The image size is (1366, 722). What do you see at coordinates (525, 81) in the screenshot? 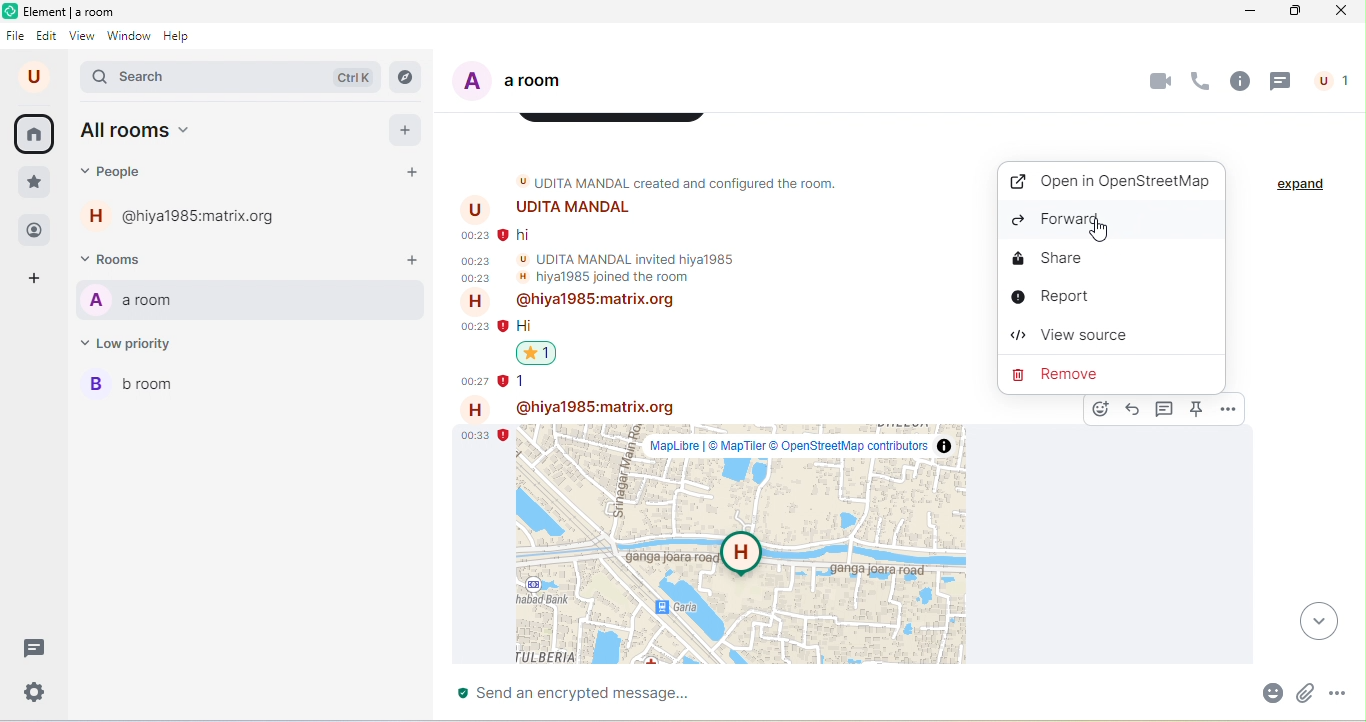
I see `a room` at bounding box center [525, 81].